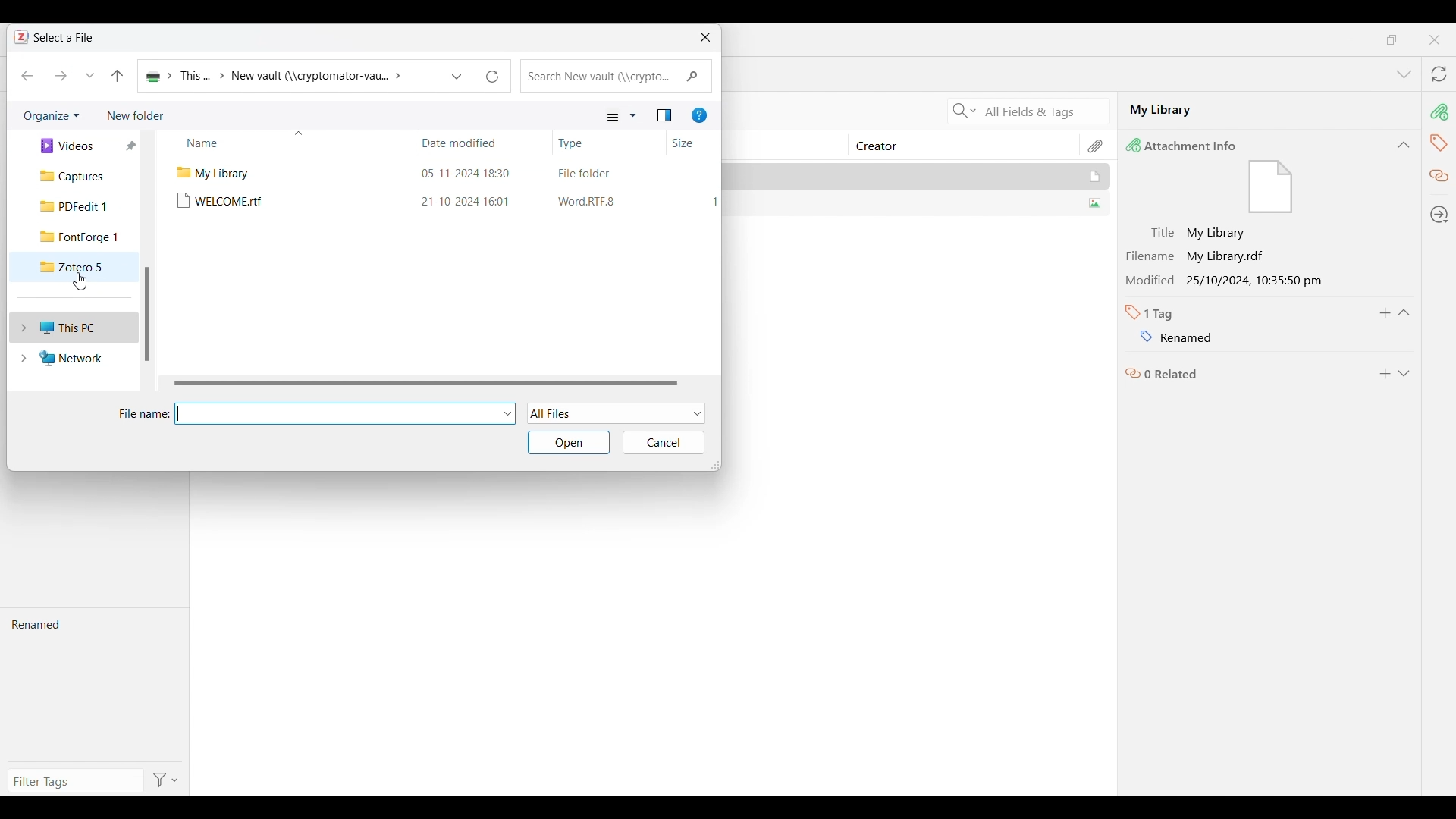 Image resolution: width=1456 pixels, height=819 pixels. Describe the element at coordinates (61, 76) in the screenshot. I see `Move forward` at that location.